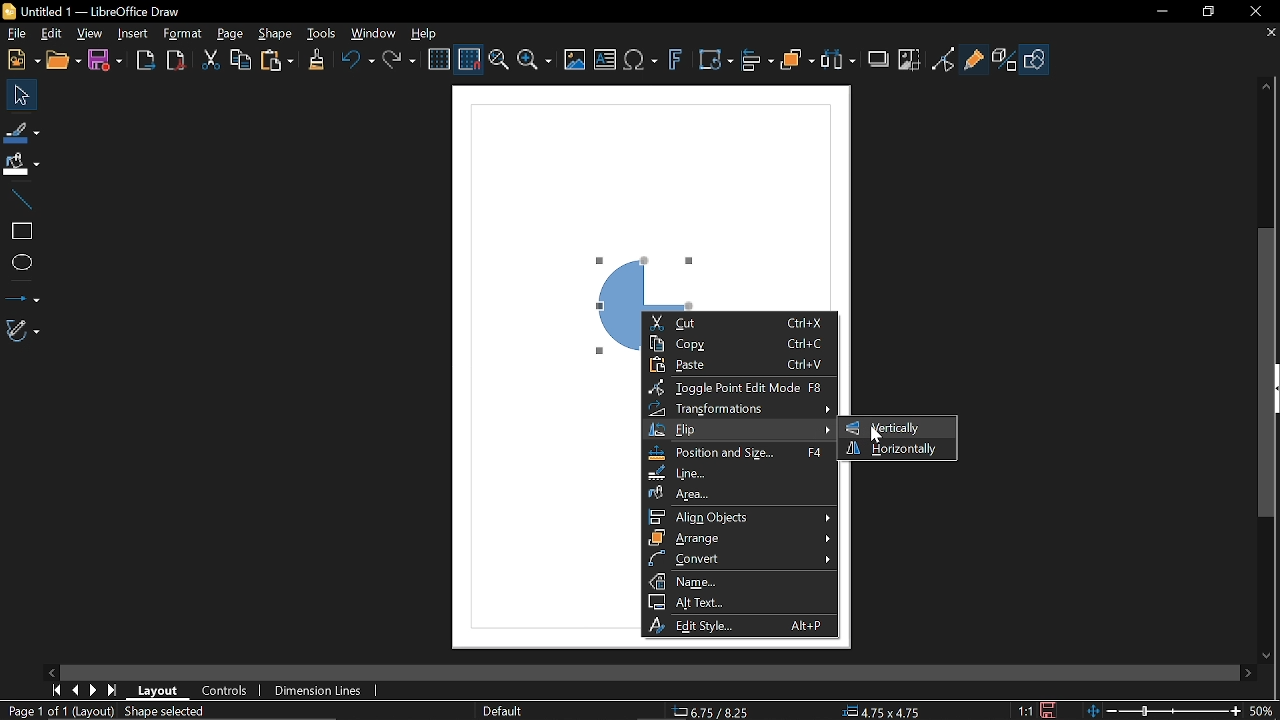 The width and height of the screenshot is (1280, 720). I want to click on First page, so click(56, 689).